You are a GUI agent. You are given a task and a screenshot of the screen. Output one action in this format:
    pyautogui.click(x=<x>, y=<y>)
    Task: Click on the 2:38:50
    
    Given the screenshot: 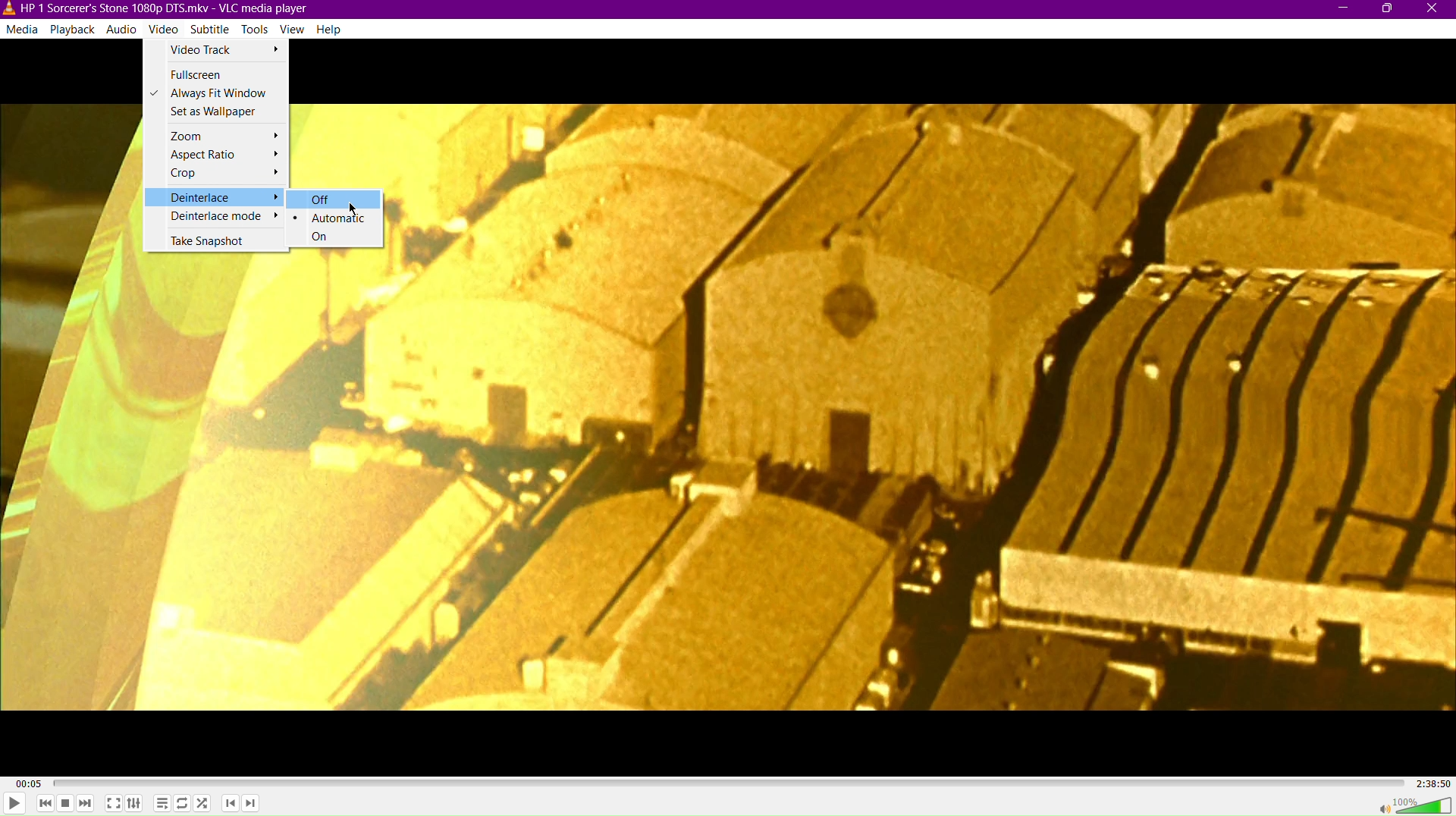 What is the action you would take?
    pyautogui.click(x=1435, y=781)
    